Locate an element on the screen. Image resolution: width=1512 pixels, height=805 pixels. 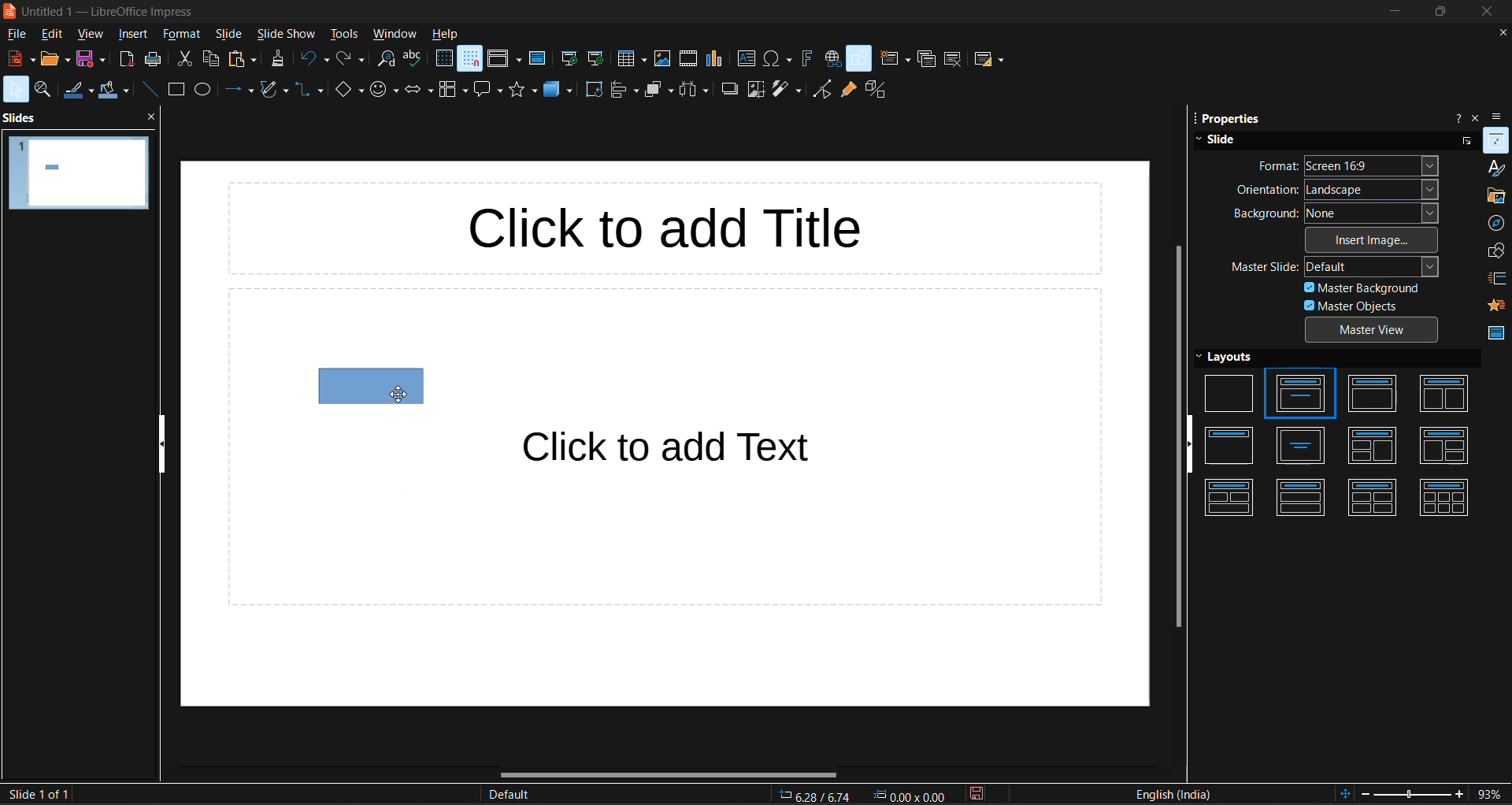
insert fontwork text is located at coordinates (805, 60).